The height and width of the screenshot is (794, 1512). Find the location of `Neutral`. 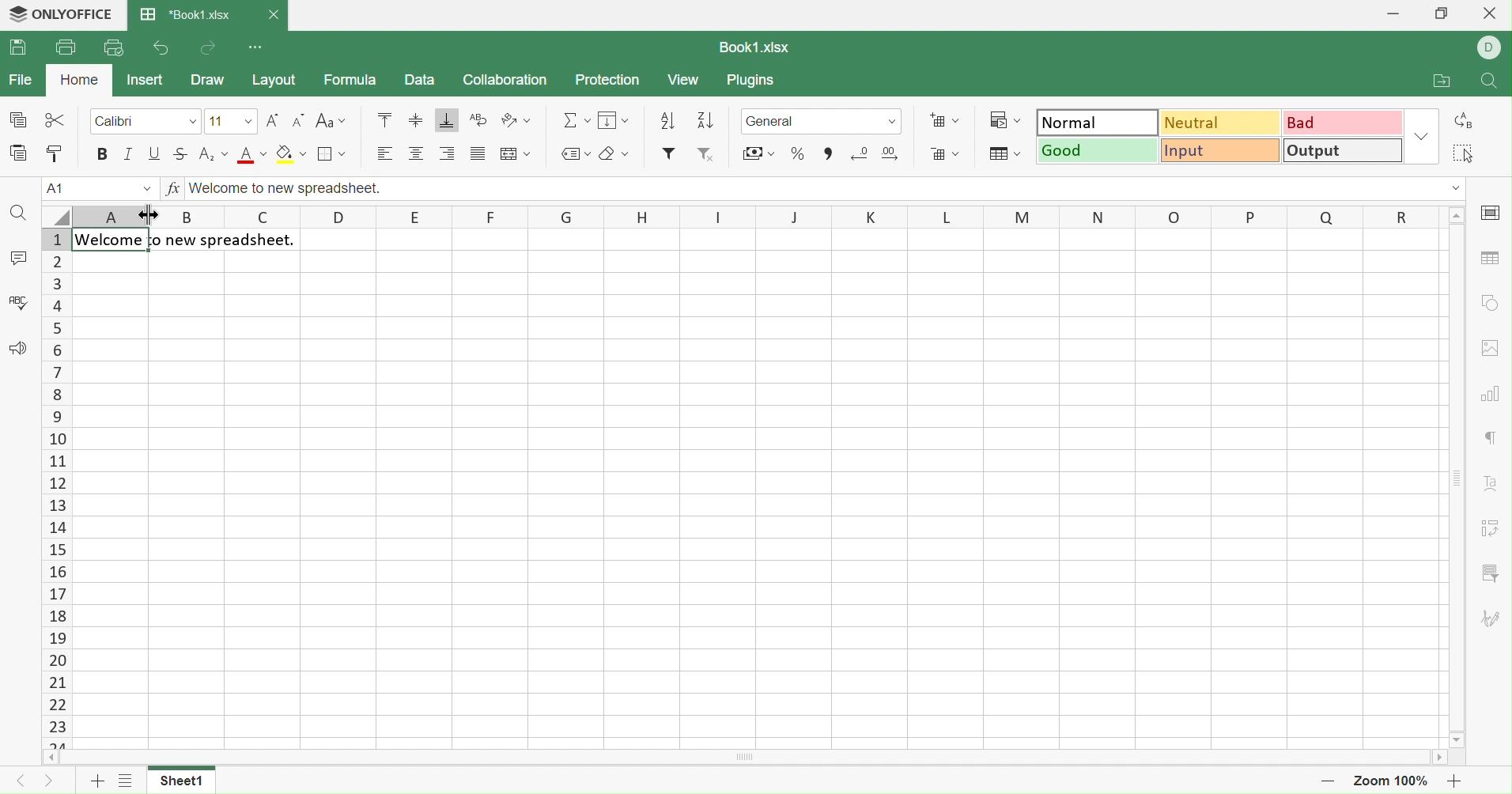

Neutral is located at coordinates (1223, 123).